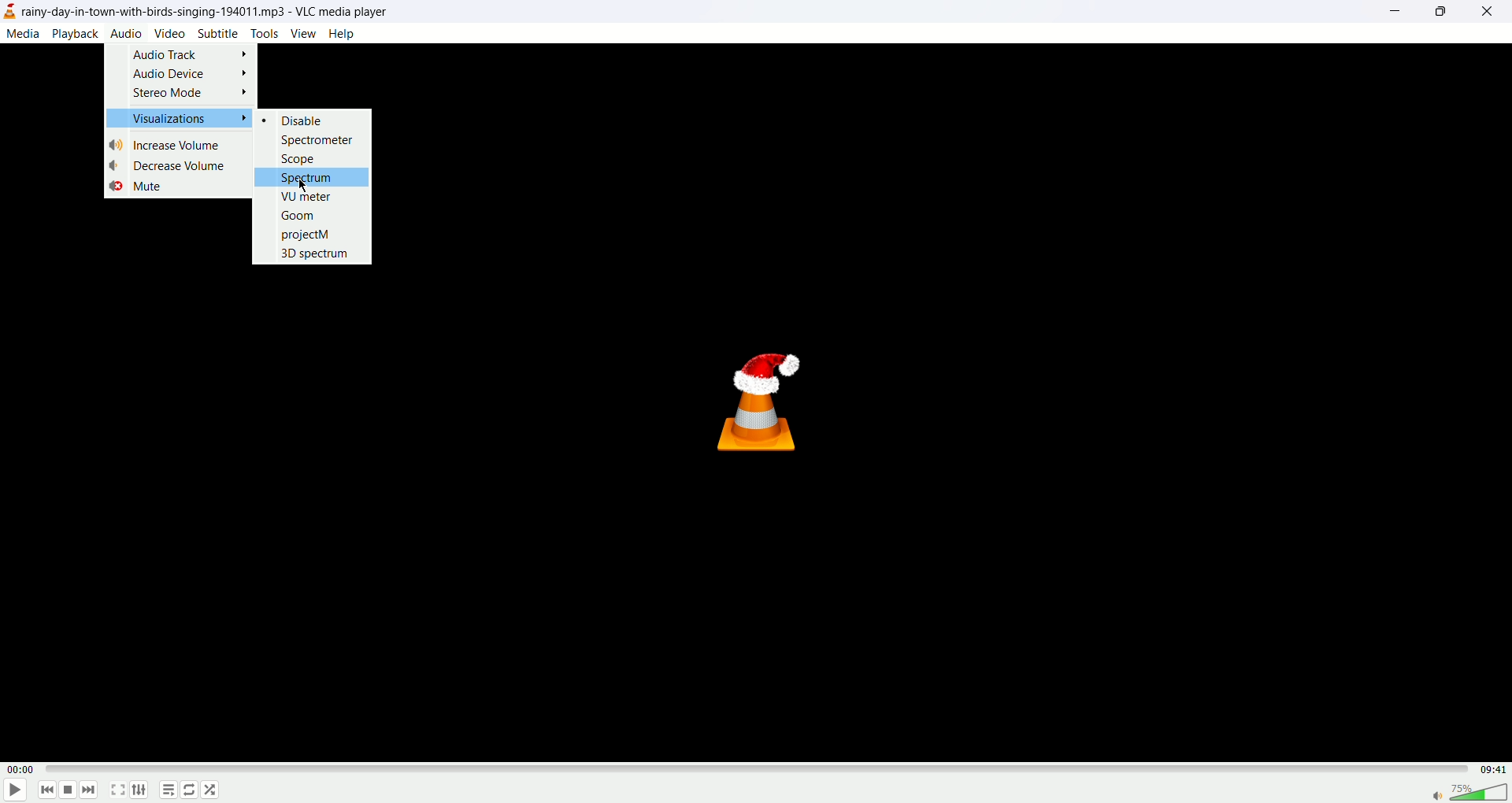  Describe the element at coordinates (209, 10) in the screenshot. I see `y-day-in-town-with-birds-singing-194011.mp3 - VLC media player` at that location.